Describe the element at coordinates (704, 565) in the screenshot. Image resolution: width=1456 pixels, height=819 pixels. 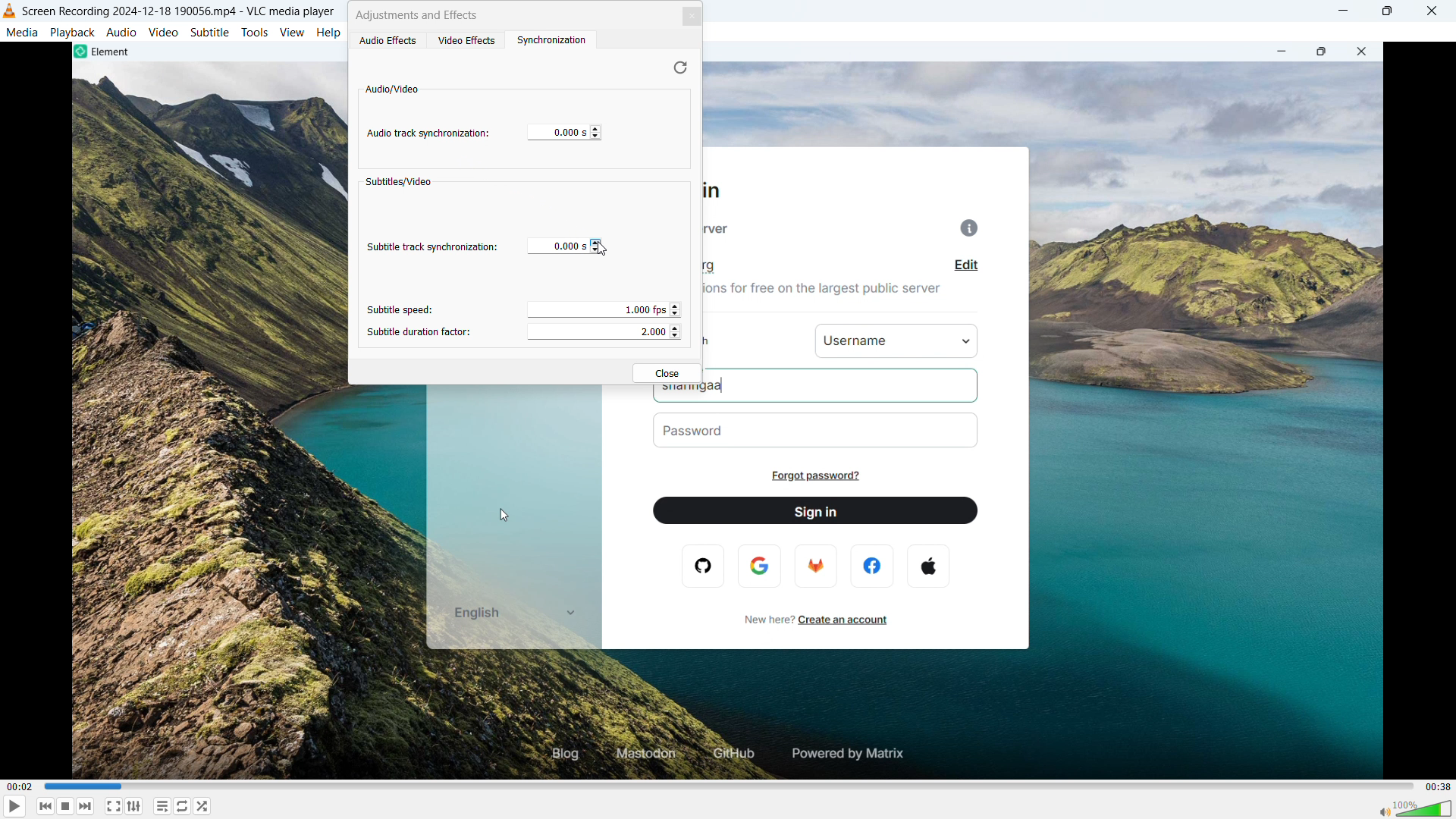
I see `opera logo` at that location.